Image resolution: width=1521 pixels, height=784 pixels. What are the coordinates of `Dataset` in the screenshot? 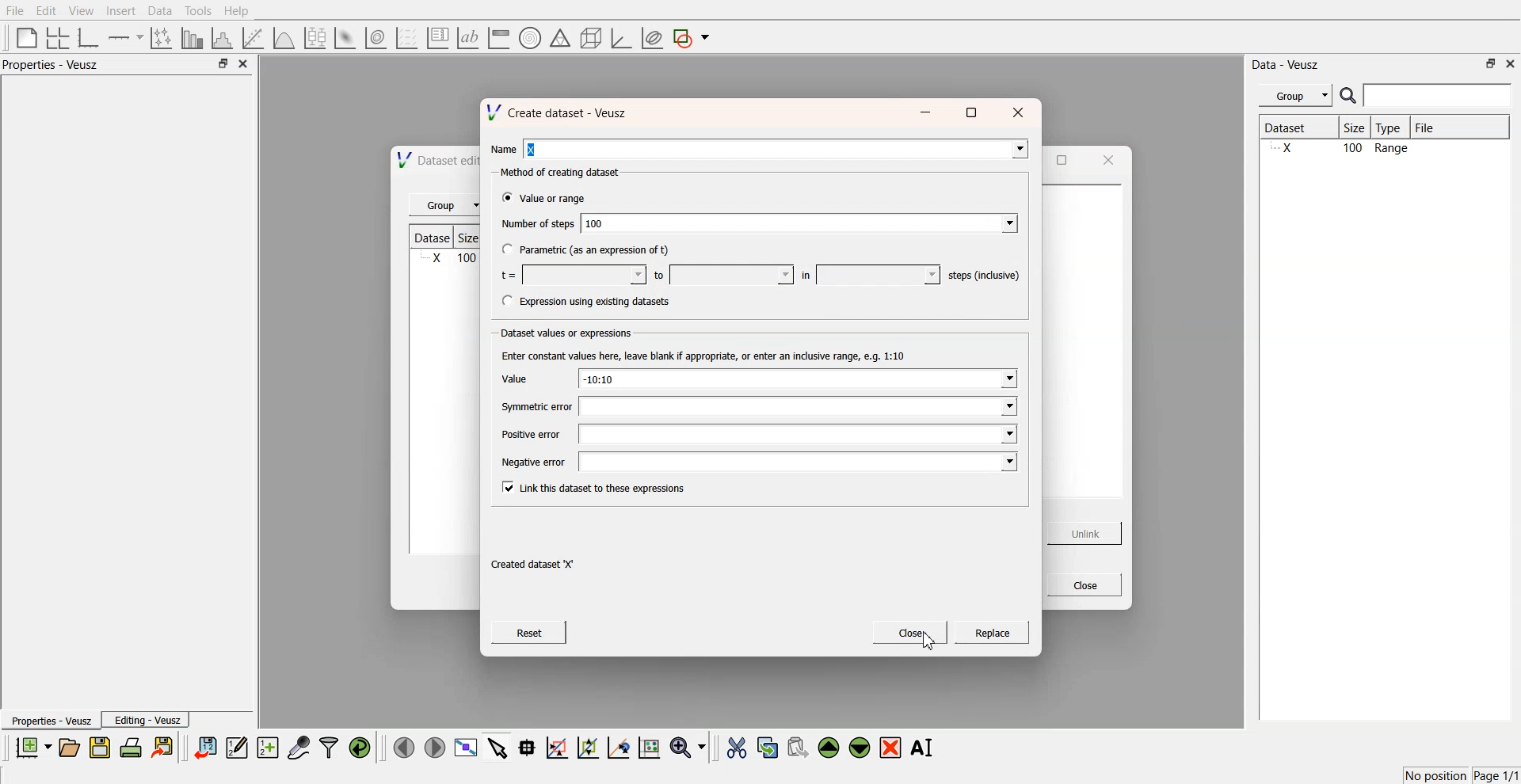 It's located at (435, 236).